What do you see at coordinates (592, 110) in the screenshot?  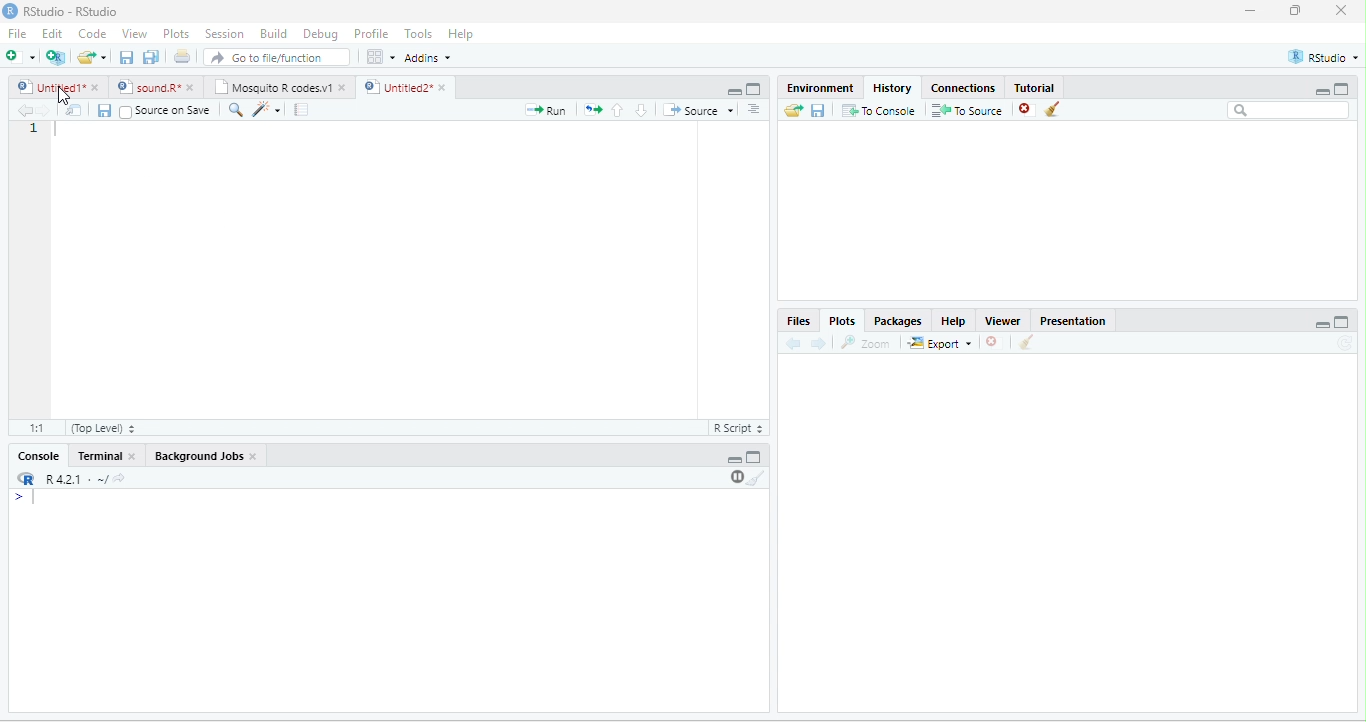 I see `rerun` at bounding box center [592, 110].